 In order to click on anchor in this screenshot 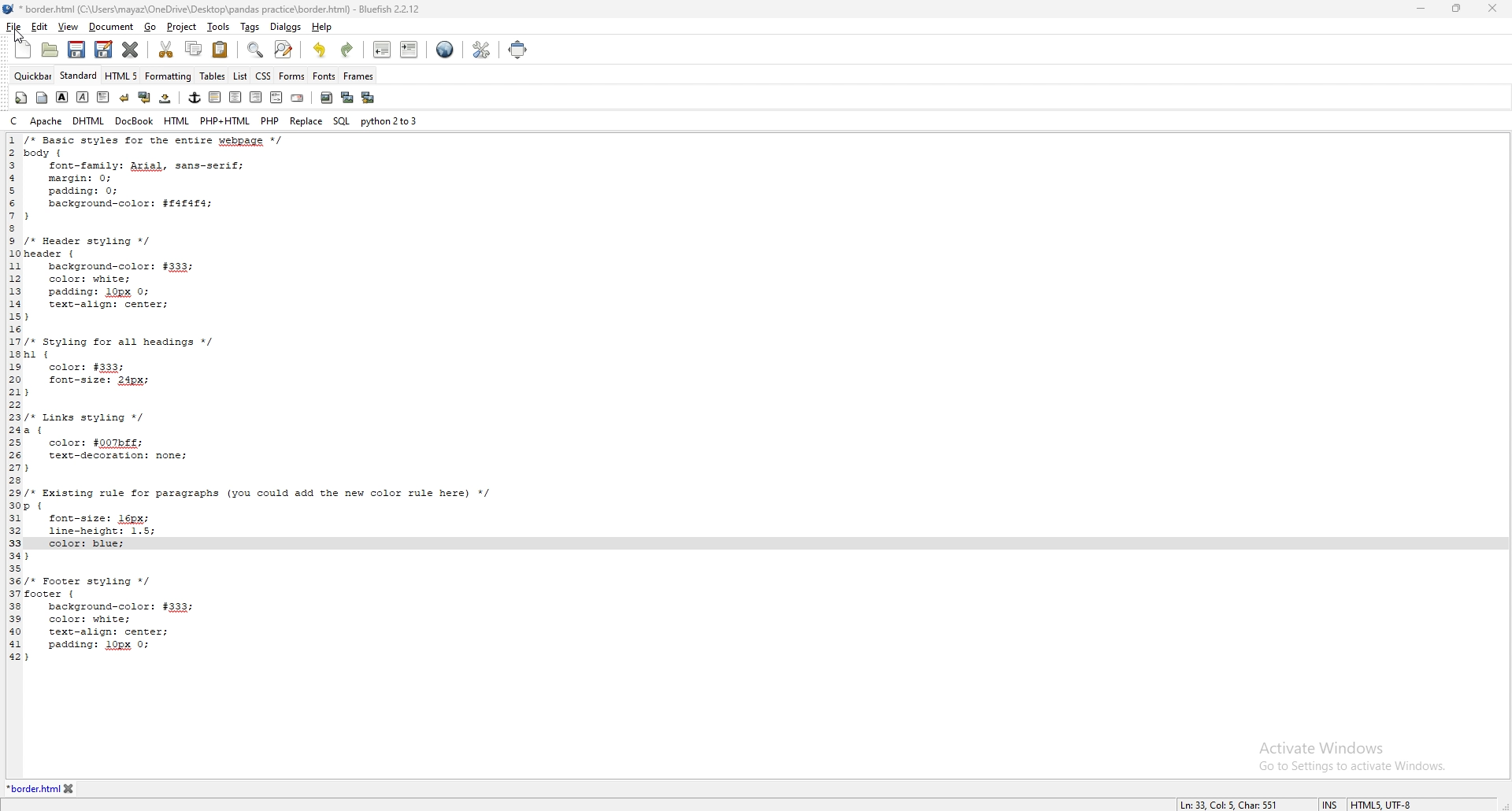, I will do `click(195, 97)`.